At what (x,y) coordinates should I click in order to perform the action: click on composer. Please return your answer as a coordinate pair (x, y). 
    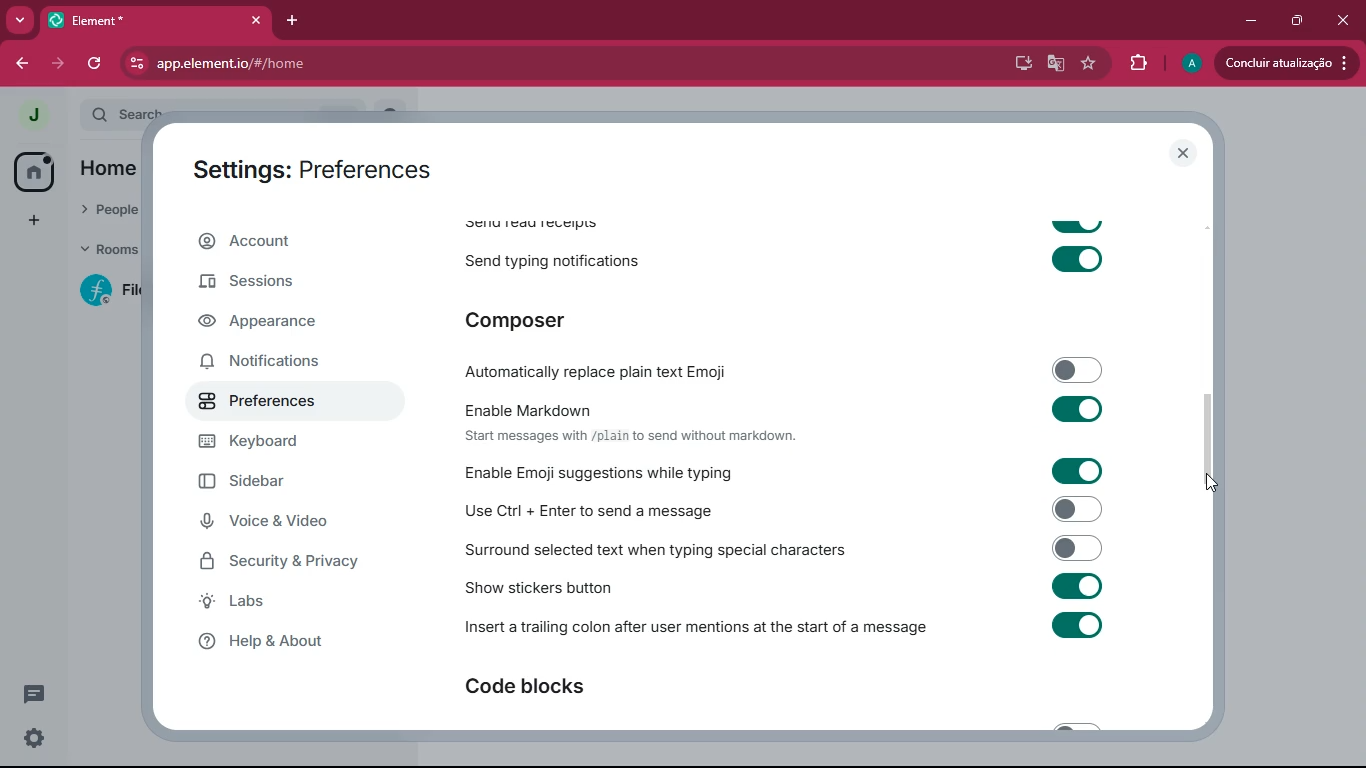
    Looking at the image, I should click on (563, 319).